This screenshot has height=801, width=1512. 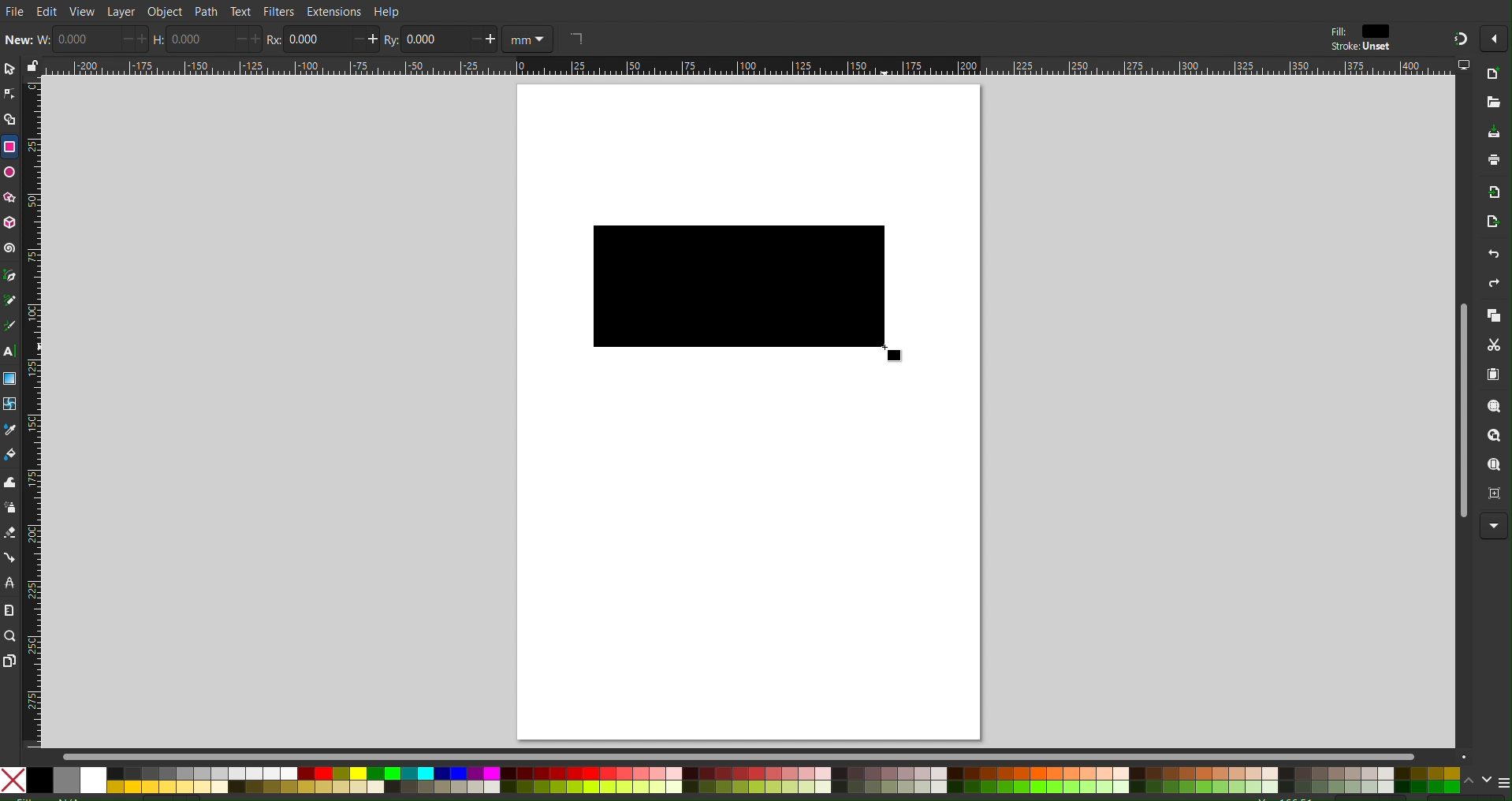 I want to click on Calligraphy Tool, so click(x=9, y=326).